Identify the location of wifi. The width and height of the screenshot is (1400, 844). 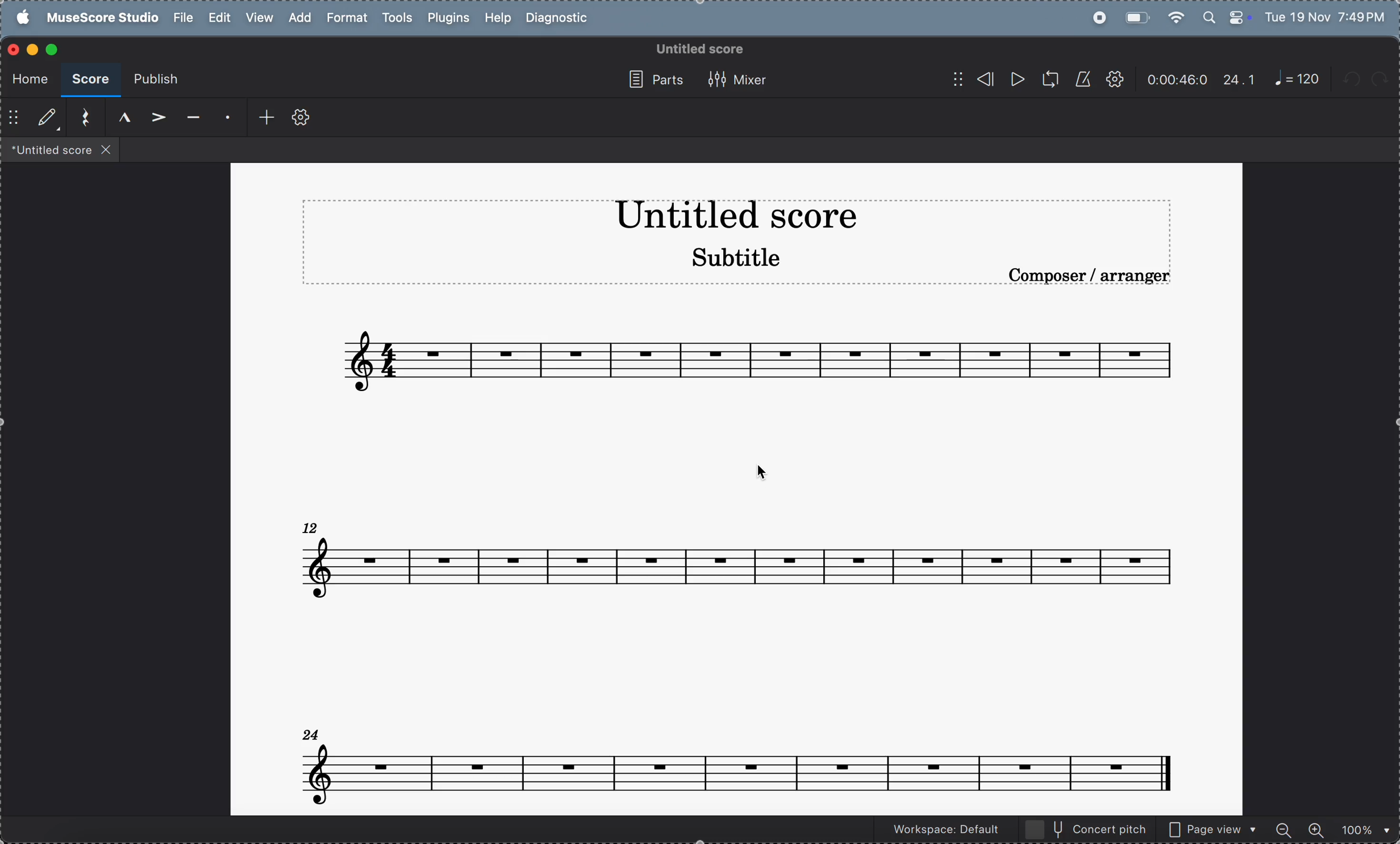
(1177, 17).